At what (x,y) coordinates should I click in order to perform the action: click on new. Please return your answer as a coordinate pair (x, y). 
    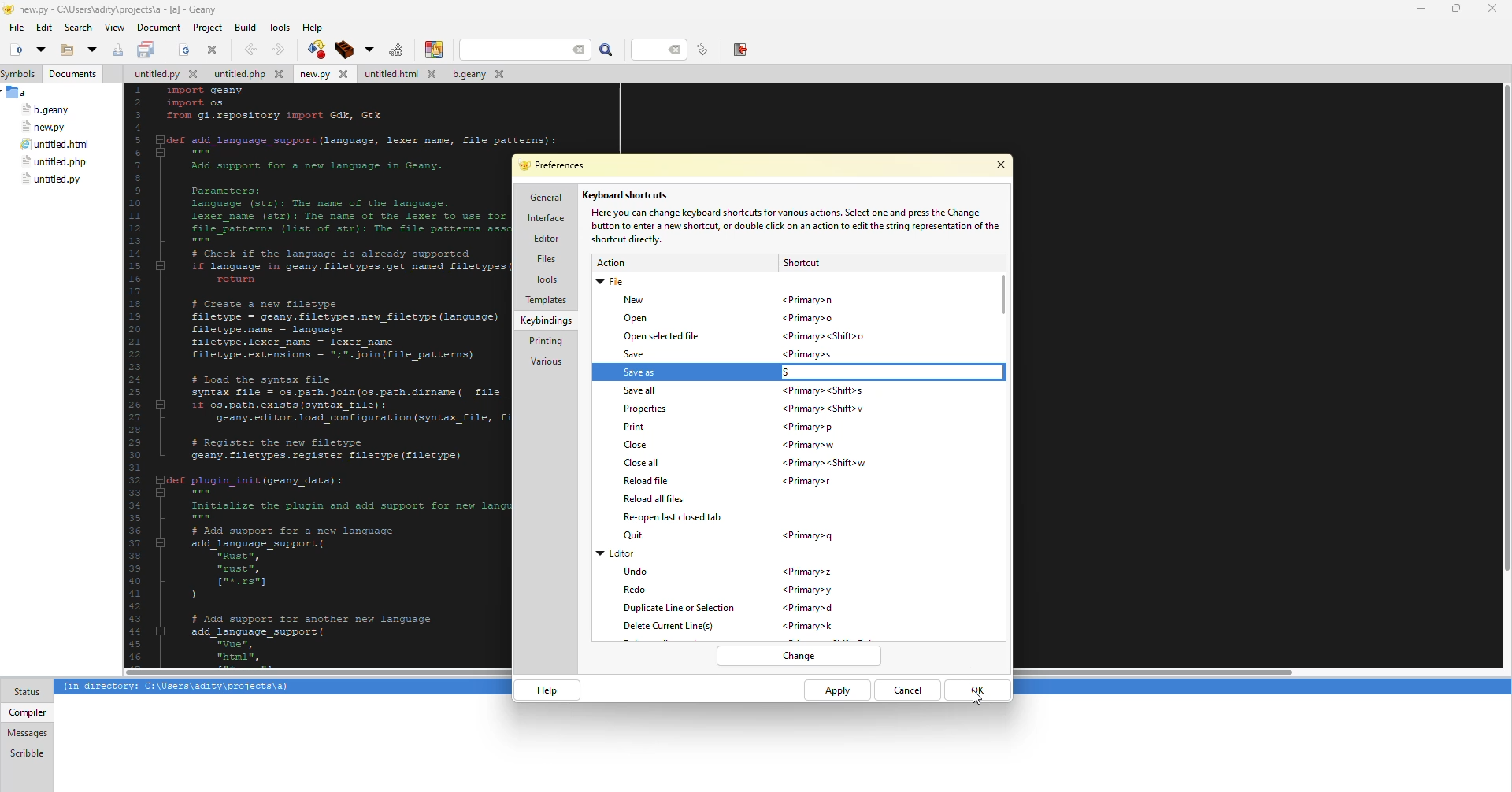
    Looking at the image, I should click on (14, 50).